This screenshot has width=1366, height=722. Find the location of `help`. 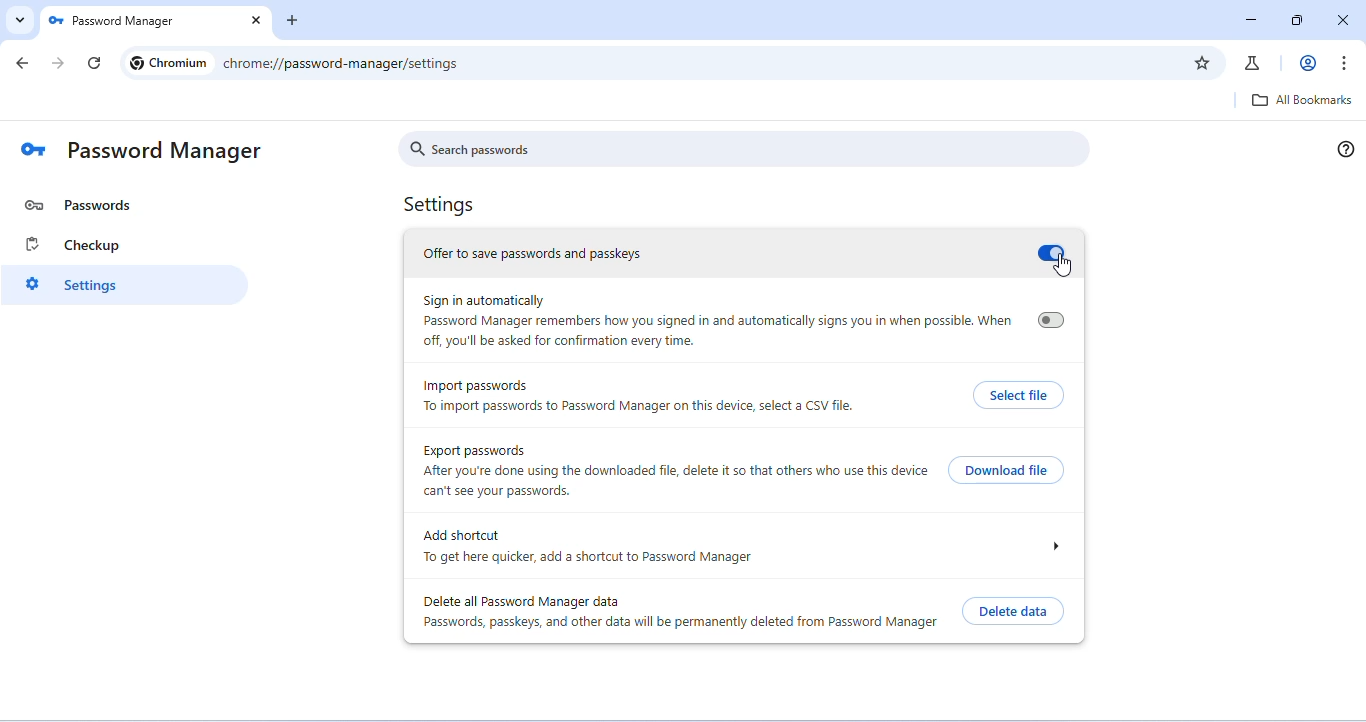

help is located at coordinates (1345, 148).